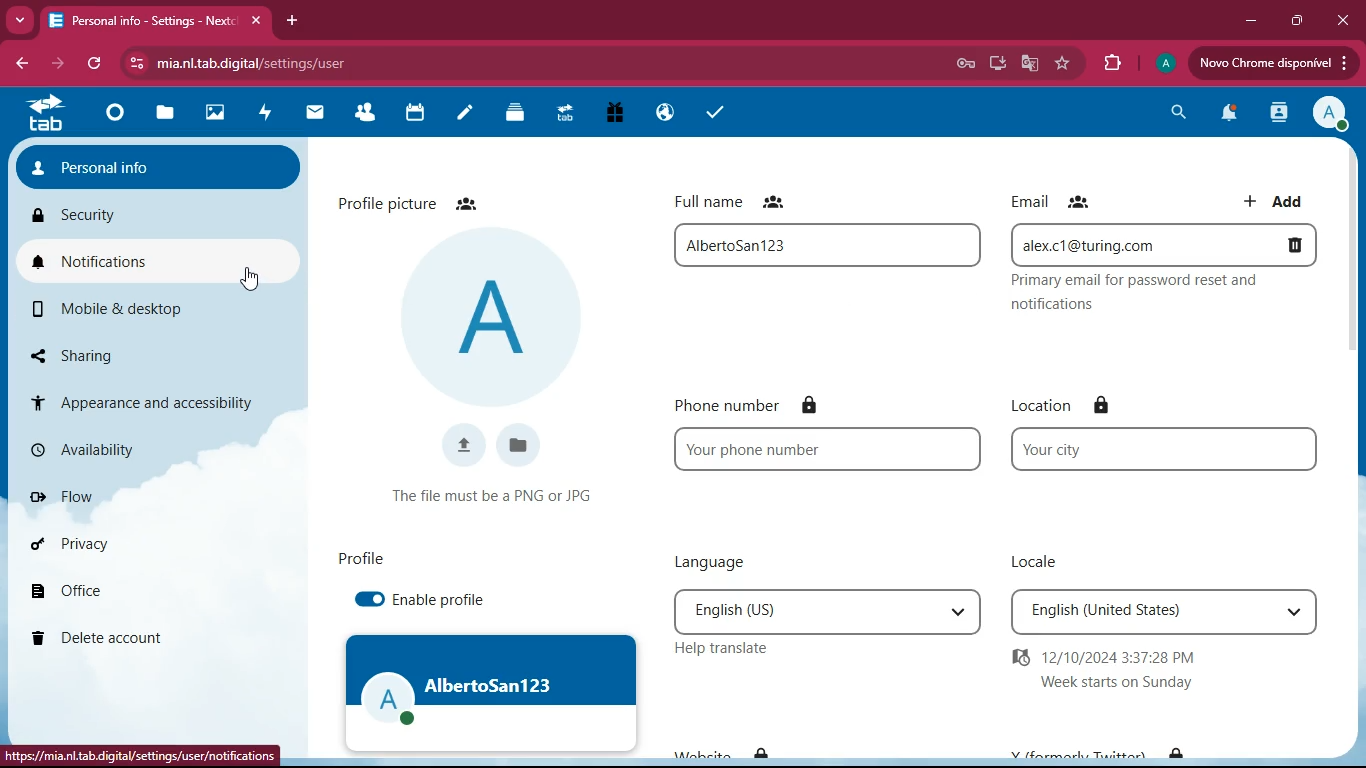  What do you see at coordinates (563, 116) in the screenshot?
I see `tab` at bounding box center [563, 116].